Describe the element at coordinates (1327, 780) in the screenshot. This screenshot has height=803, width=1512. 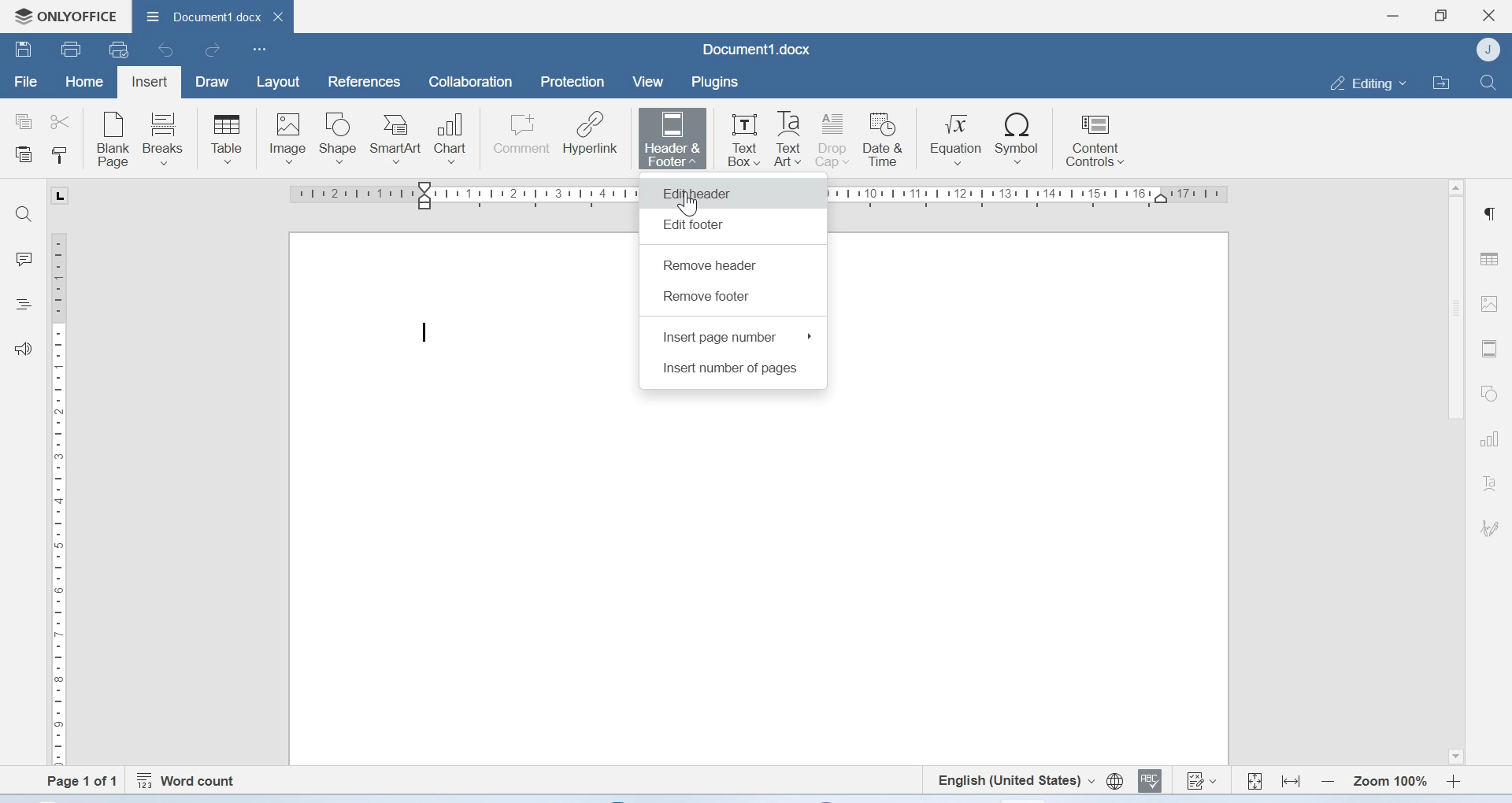
I see `Zoom out` at that location.